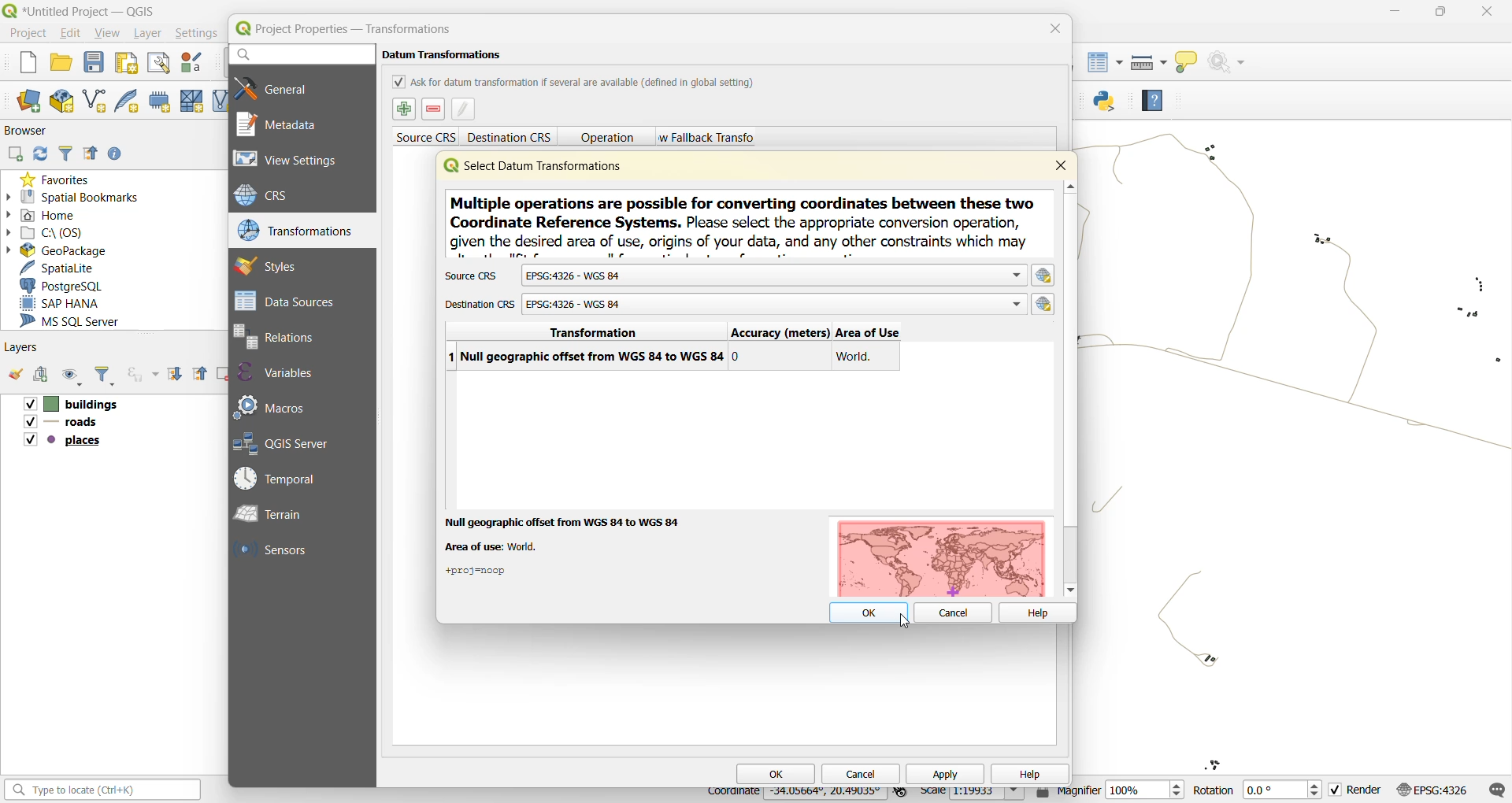 This screenshot has height=803, width=1512. Describe the element at coordinates (1073, 387) in the screenshot. I see `vertical scroll bar` at that location.